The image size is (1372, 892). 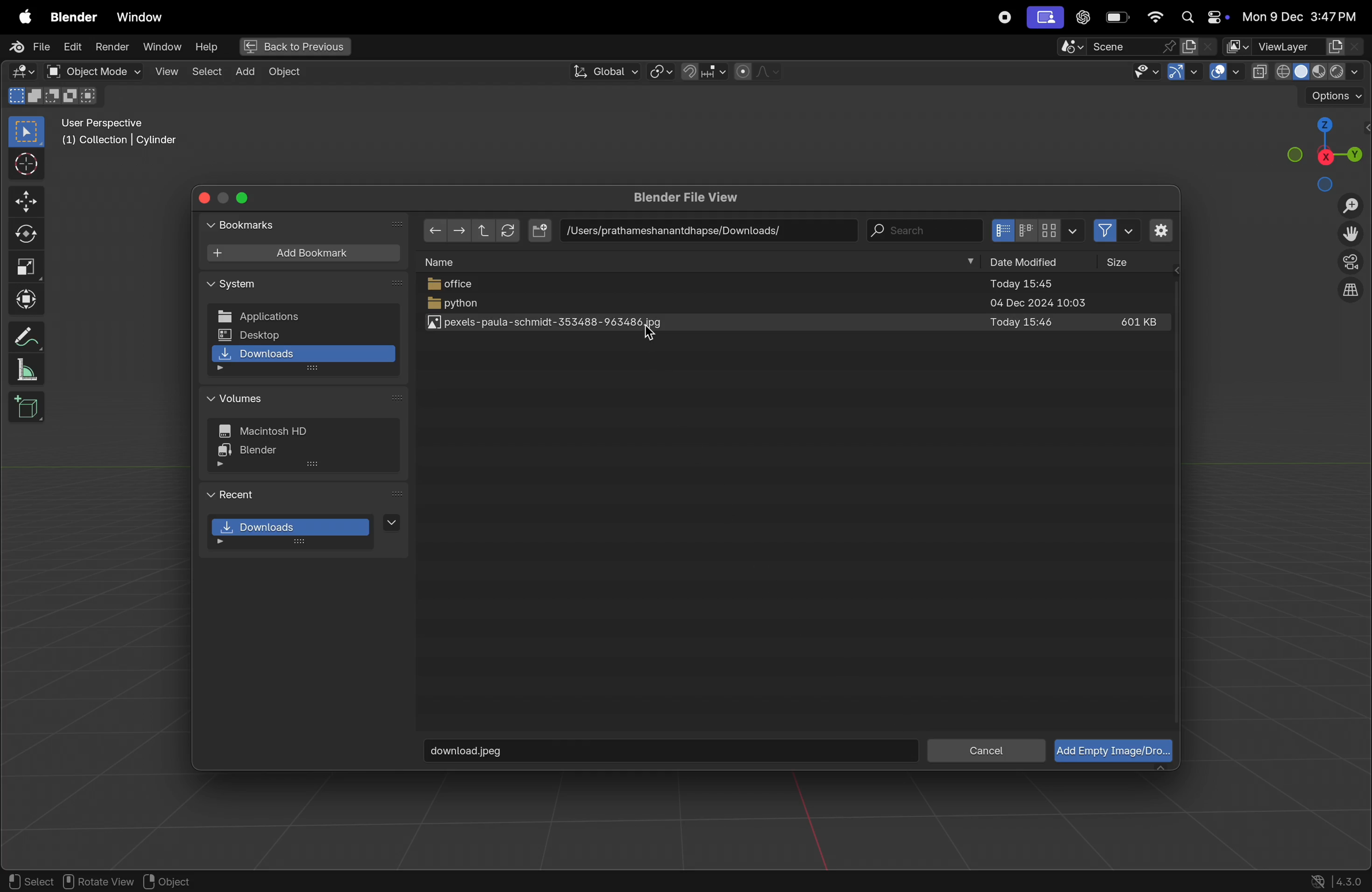 What do you see at coordinates (1333, 96) in the screenshot?
I see `options` at bounding box center [1333, 96].